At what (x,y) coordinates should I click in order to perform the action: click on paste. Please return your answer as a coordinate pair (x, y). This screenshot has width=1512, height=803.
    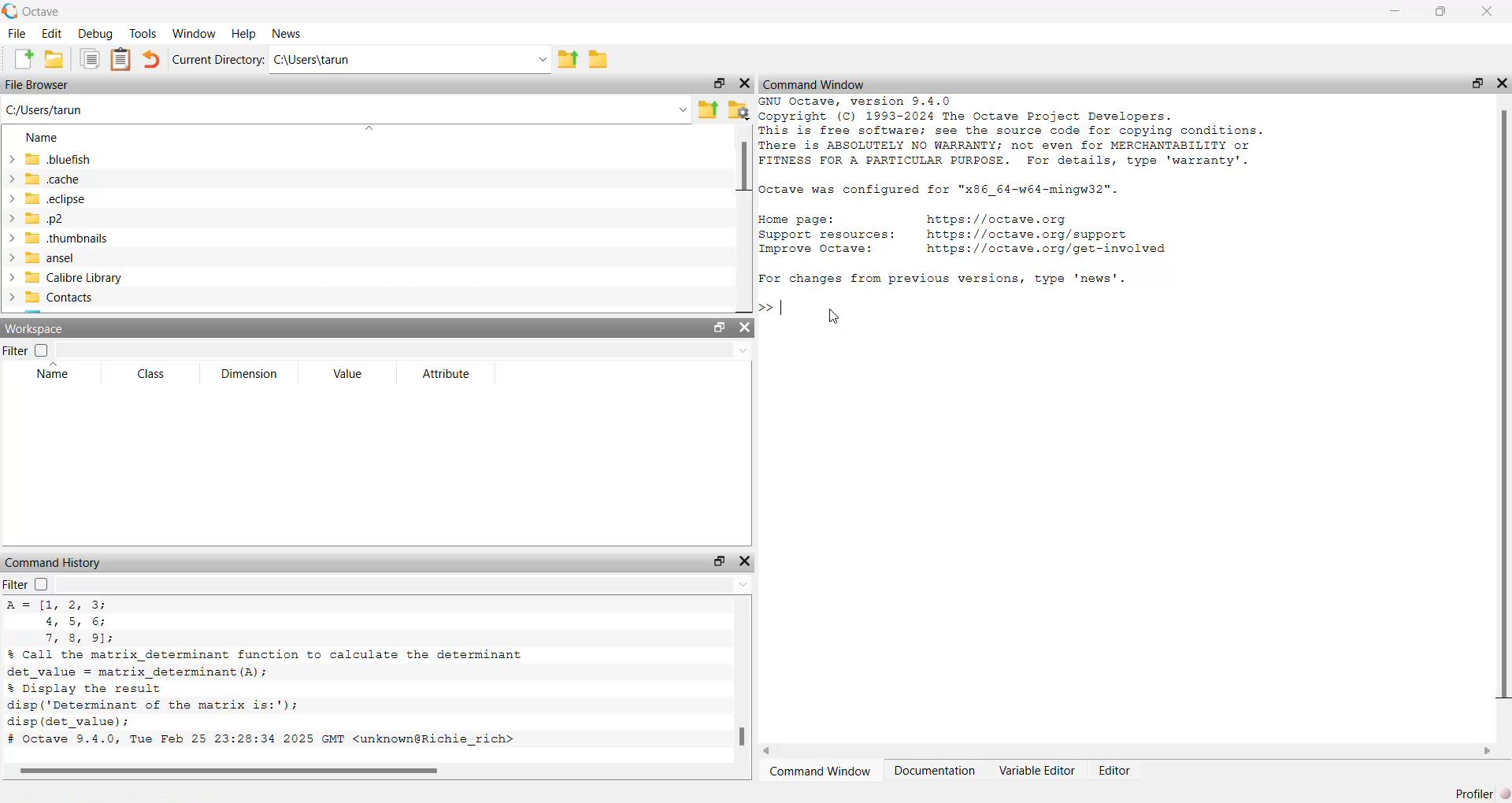
    Looking at the image, I should click on (120, 60).